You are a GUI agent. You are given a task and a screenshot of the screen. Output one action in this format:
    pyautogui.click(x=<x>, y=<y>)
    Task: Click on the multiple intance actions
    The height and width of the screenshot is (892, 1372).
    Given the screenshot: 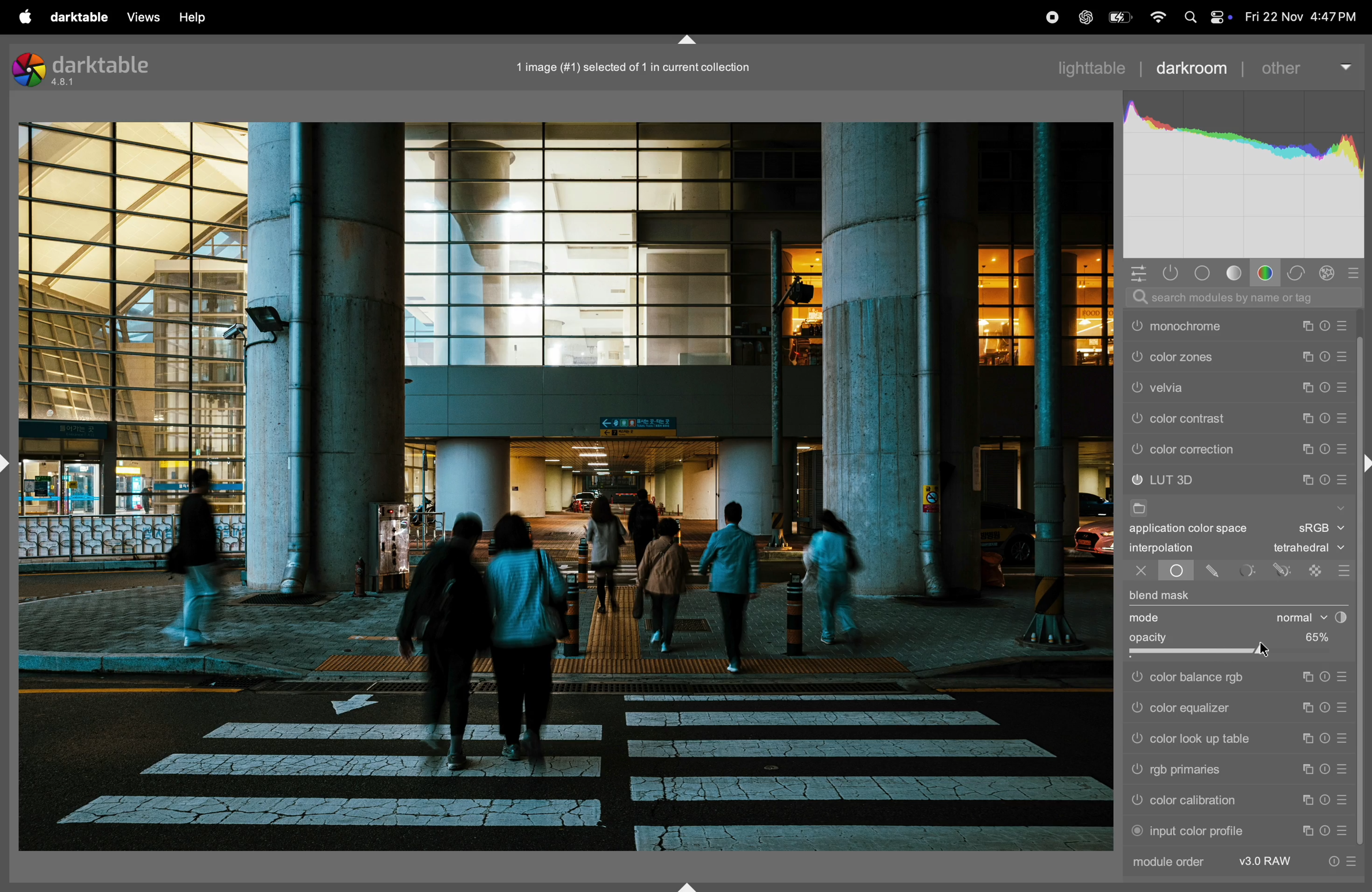 What is the action you would take?
    pyautogui.click(x=1308, y=385)
    